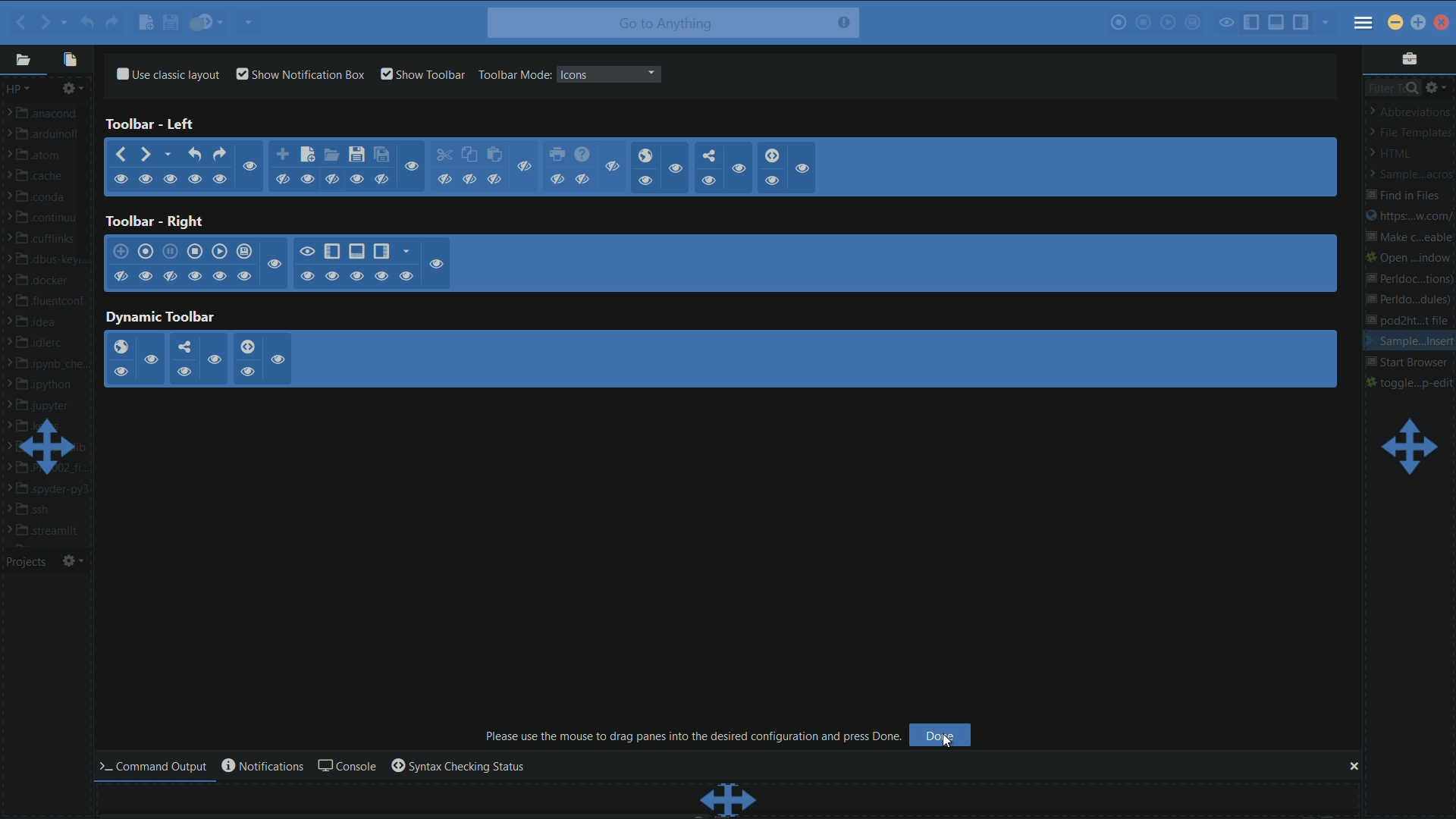  I want to click on show notification box, so click(302, 74).